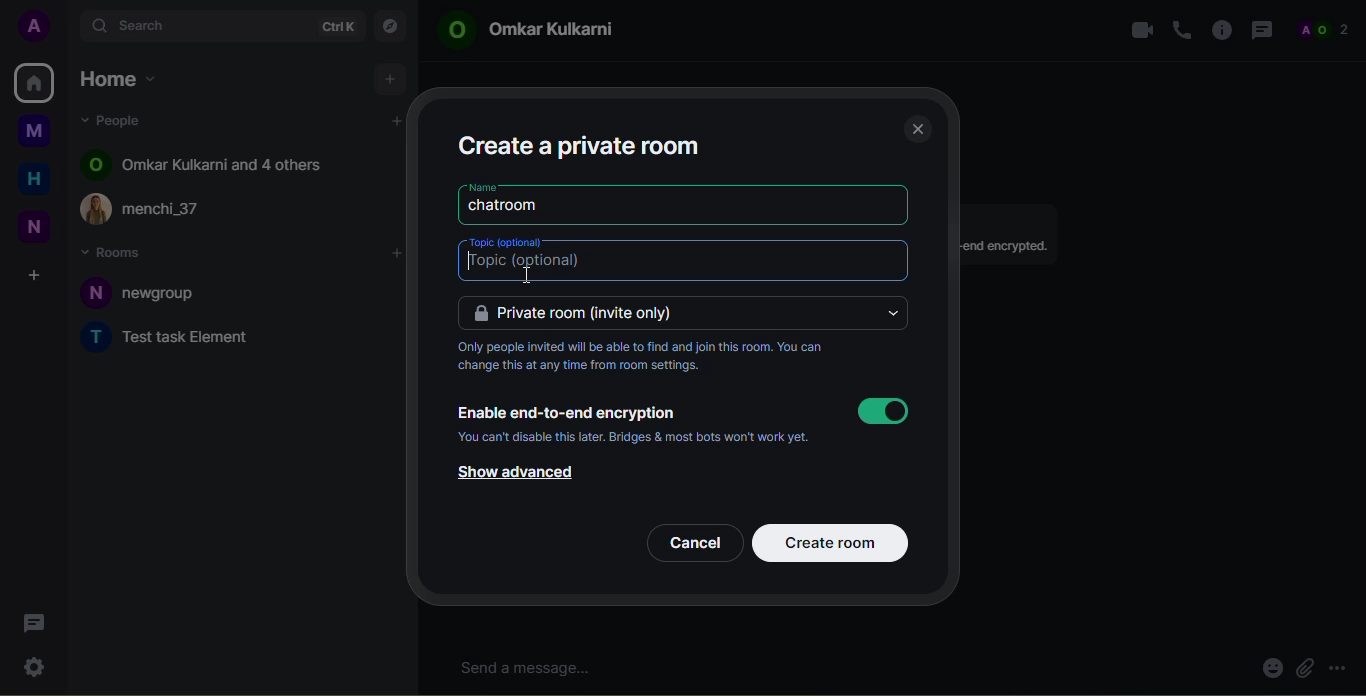  Describe the element at coordinates (37, 25) in the screenshot. I see `profile` at that location.